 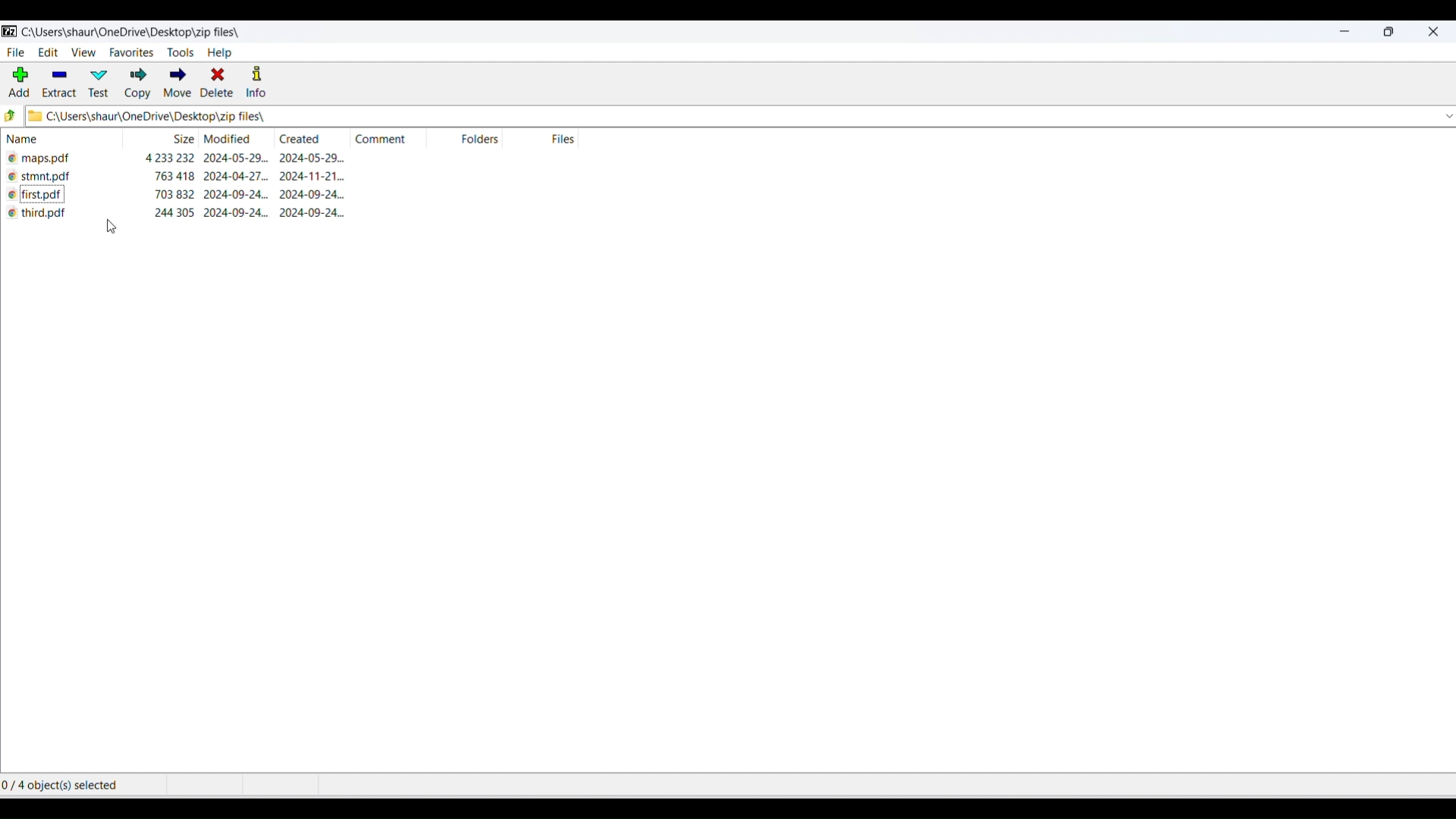 What do you see at coordinates (129, 53) in the screenshot?
I see `favourites` at bounding box center [129, 53].